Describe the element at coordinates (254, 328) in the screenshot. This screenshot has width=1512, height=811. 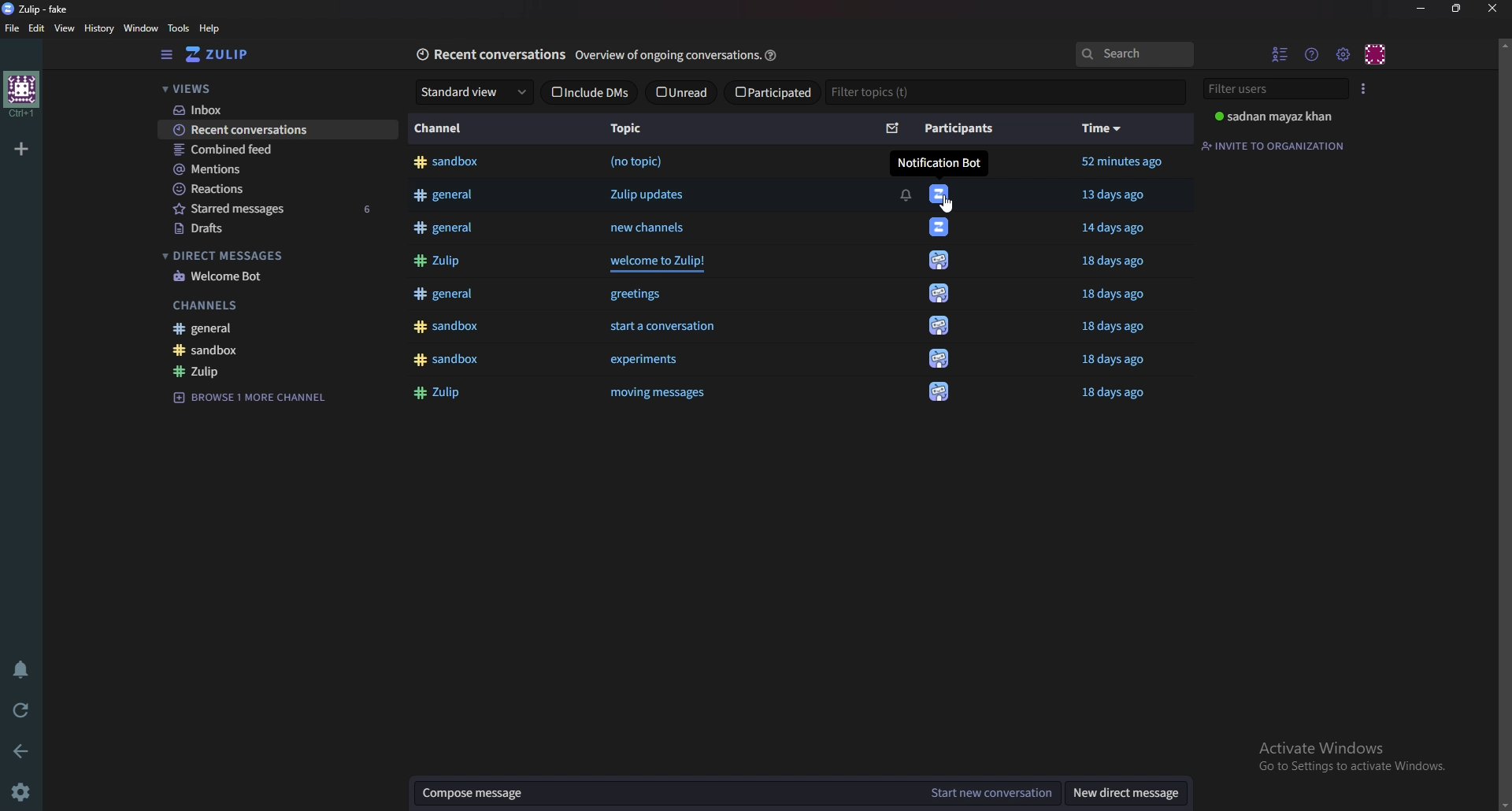
I see `General` at that location.